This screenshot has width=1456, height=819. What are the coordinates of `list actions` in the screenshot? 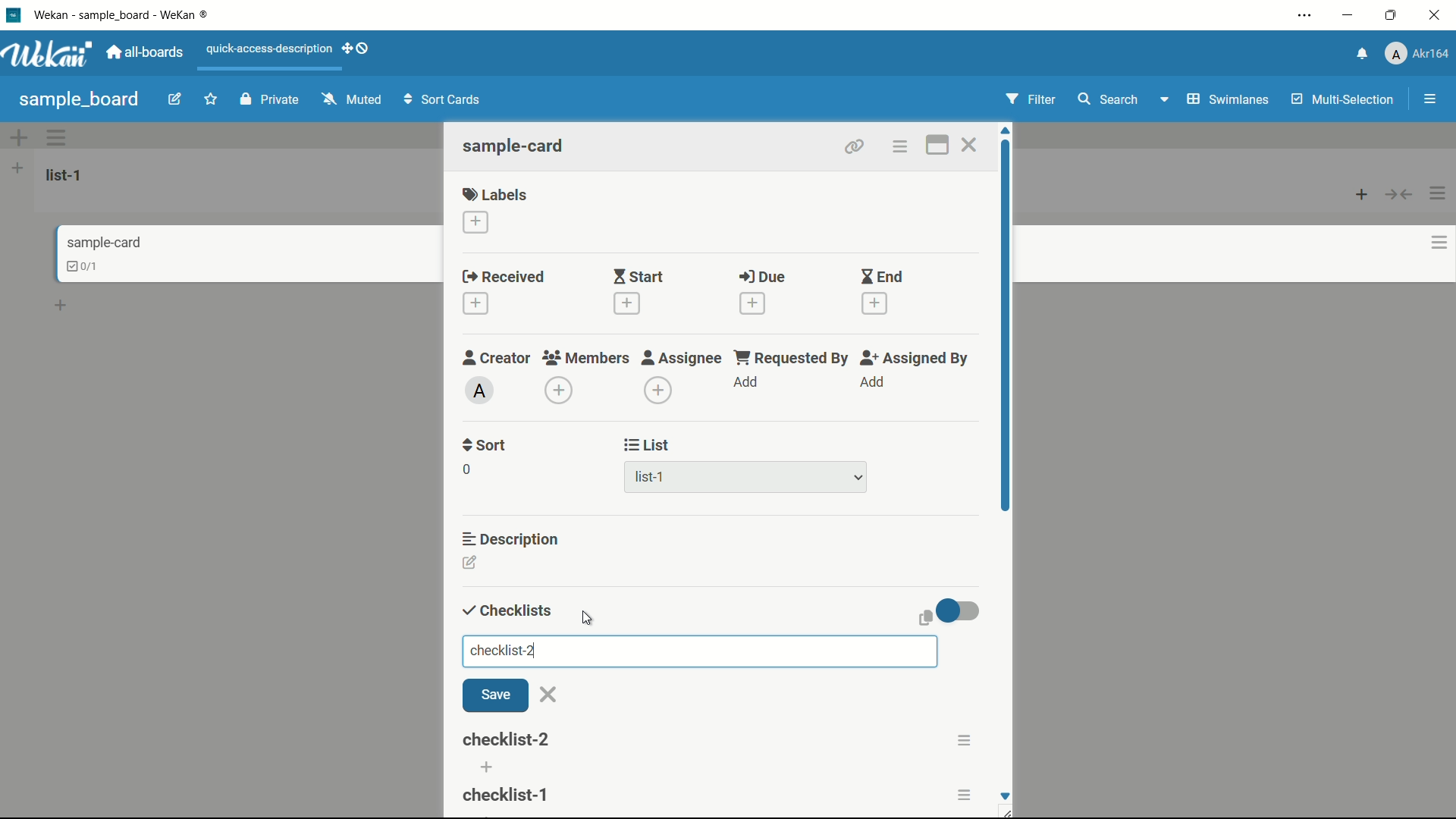 It's located at (1439, 193).